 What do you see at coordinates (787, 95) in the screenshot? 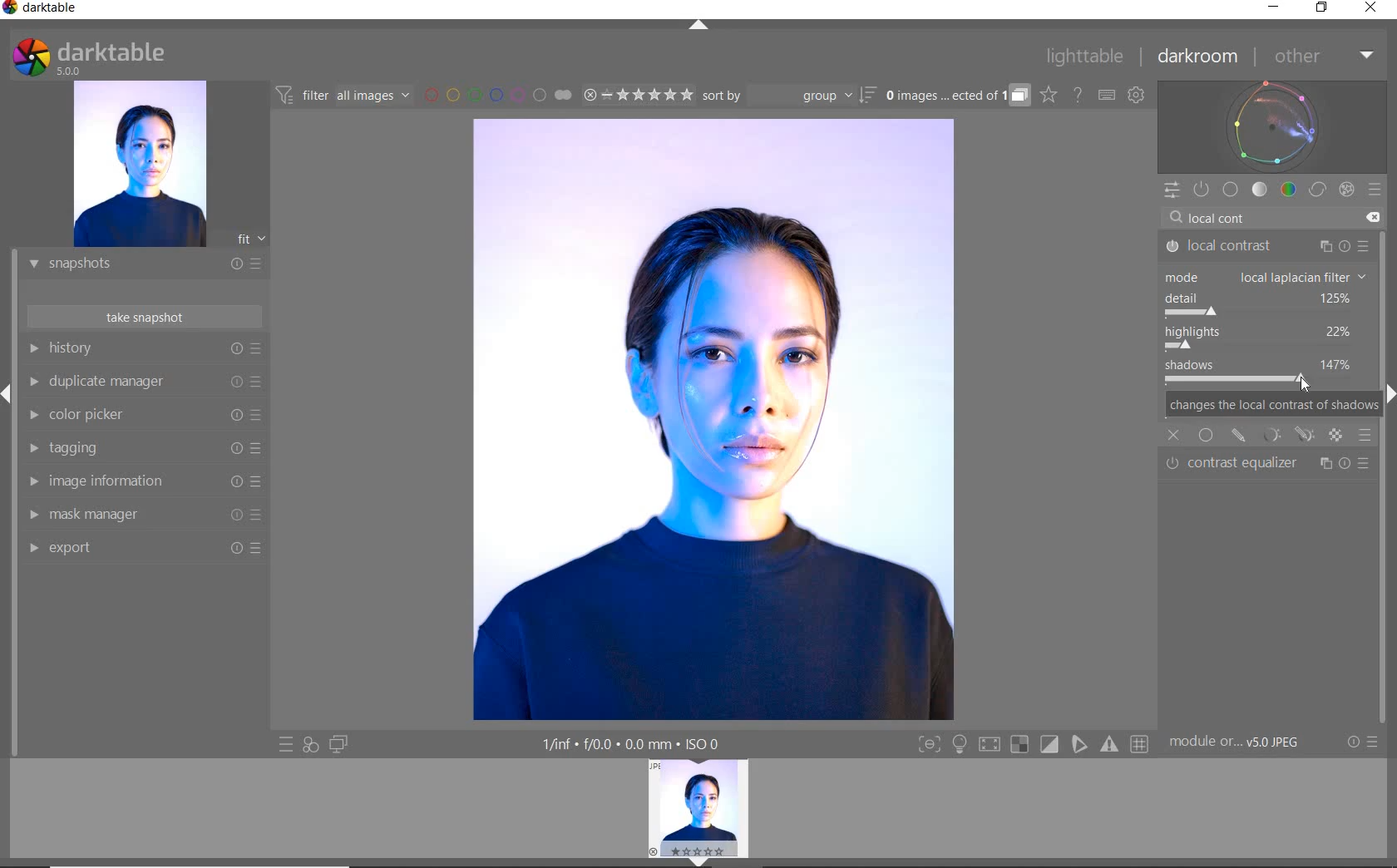
I see `SORT` at bounding box center [787, 95].